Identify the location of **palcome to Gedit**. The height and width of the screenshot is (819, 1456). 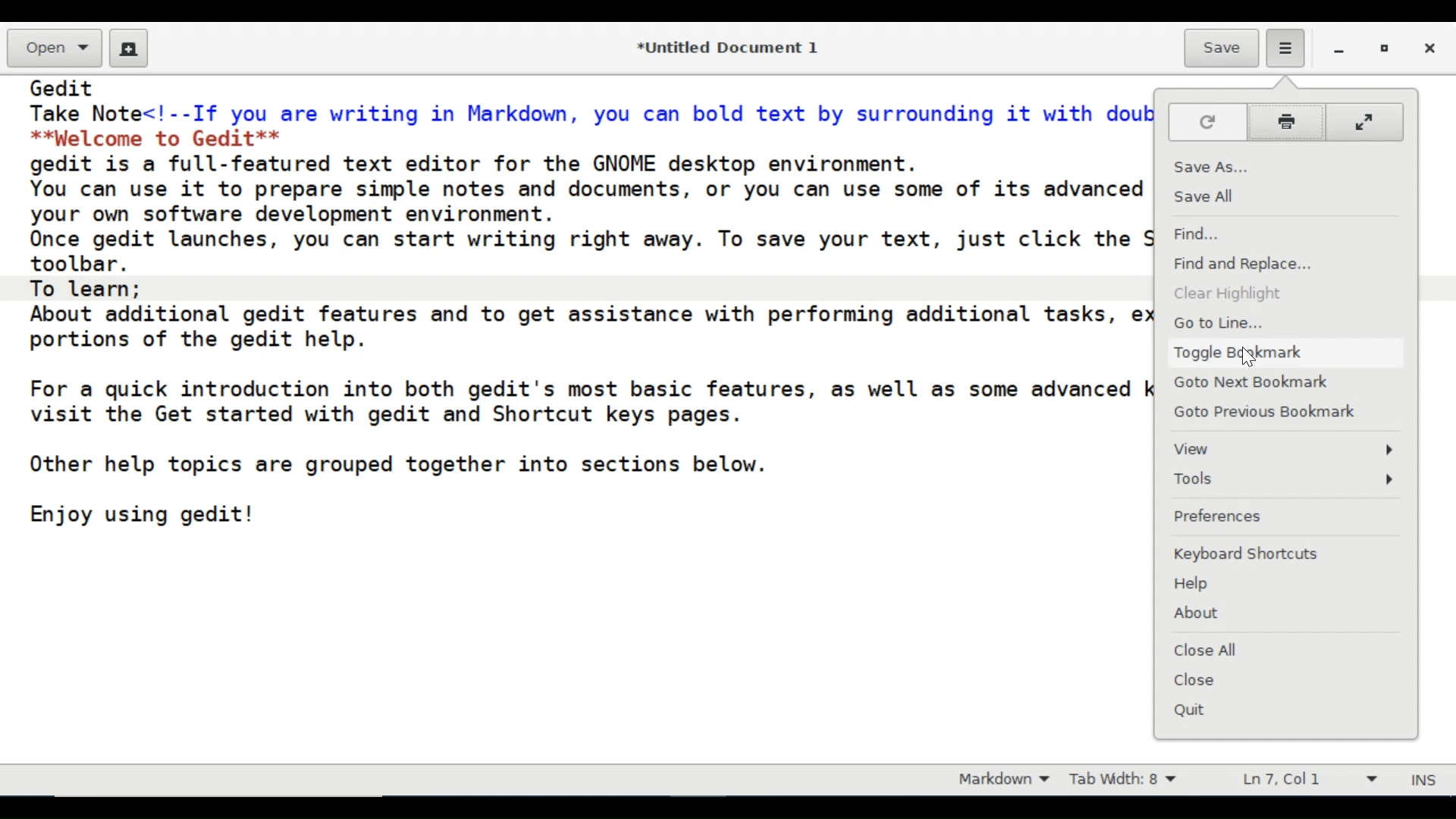
(162, 137).